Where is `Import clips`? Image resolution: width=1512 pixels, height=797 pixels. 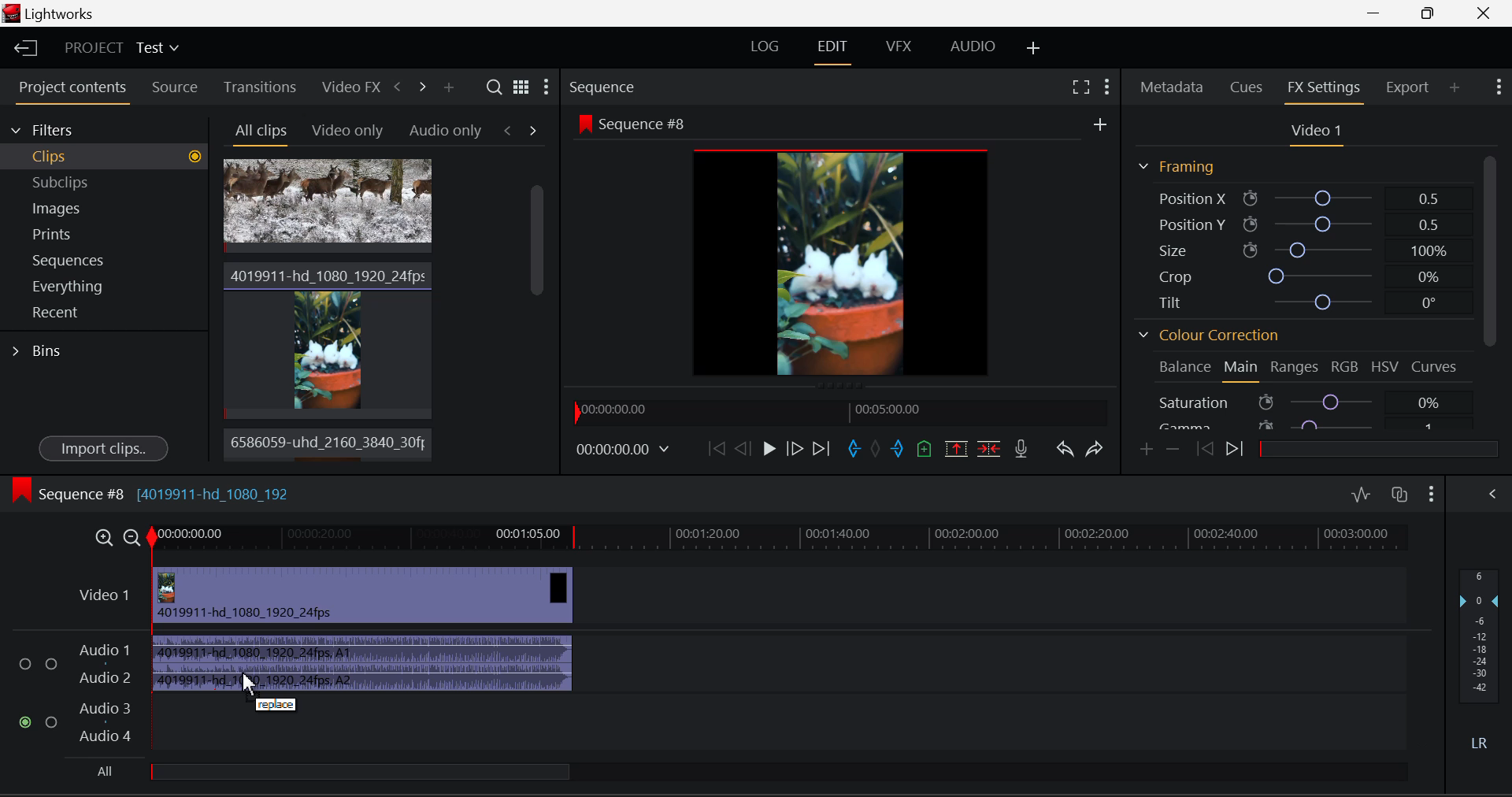
Import clips is located at coordinates (103, 447).